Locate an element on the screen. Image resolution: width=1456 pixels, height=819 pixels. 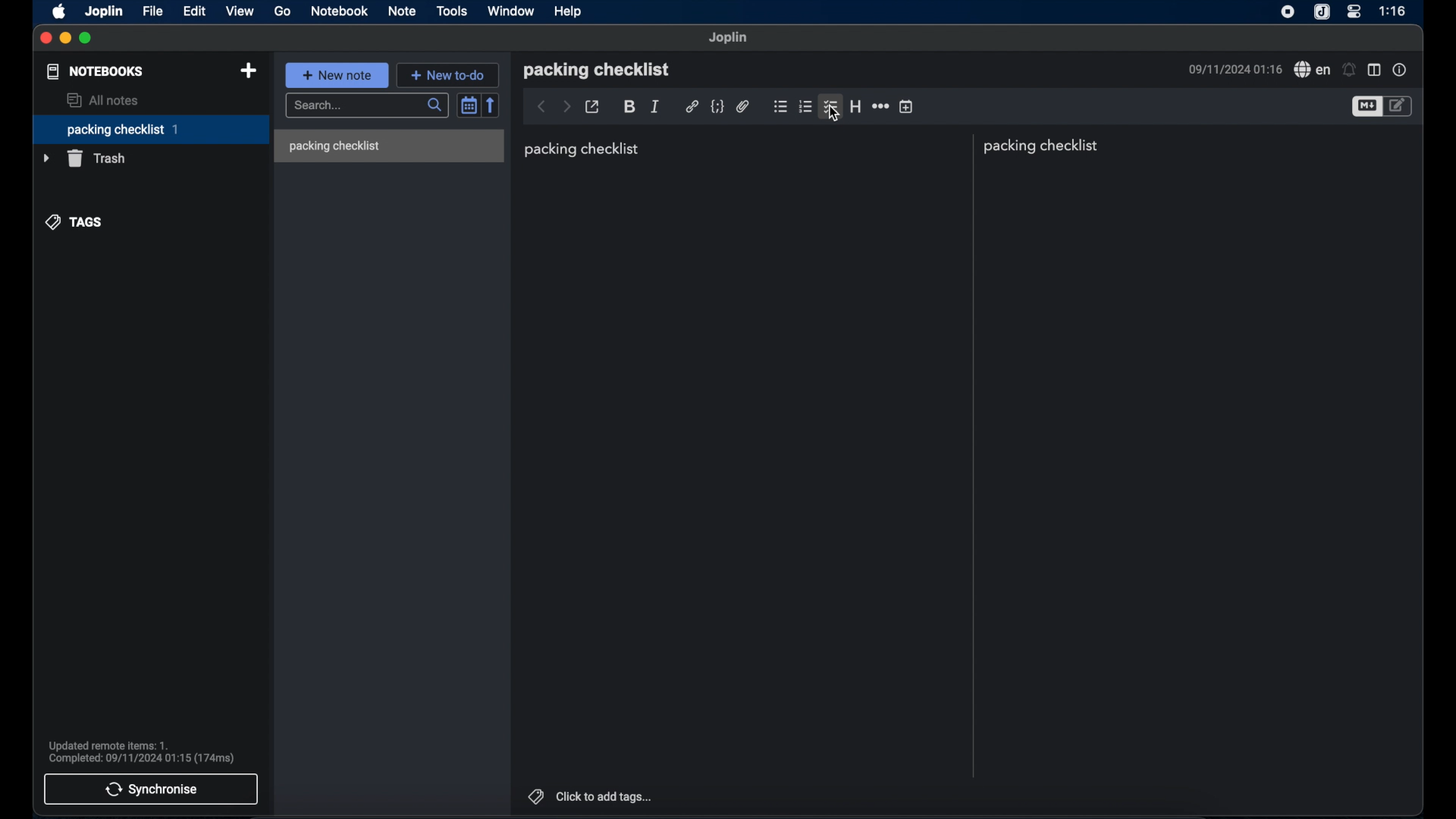
joplin is located at coordinates (730, 38).